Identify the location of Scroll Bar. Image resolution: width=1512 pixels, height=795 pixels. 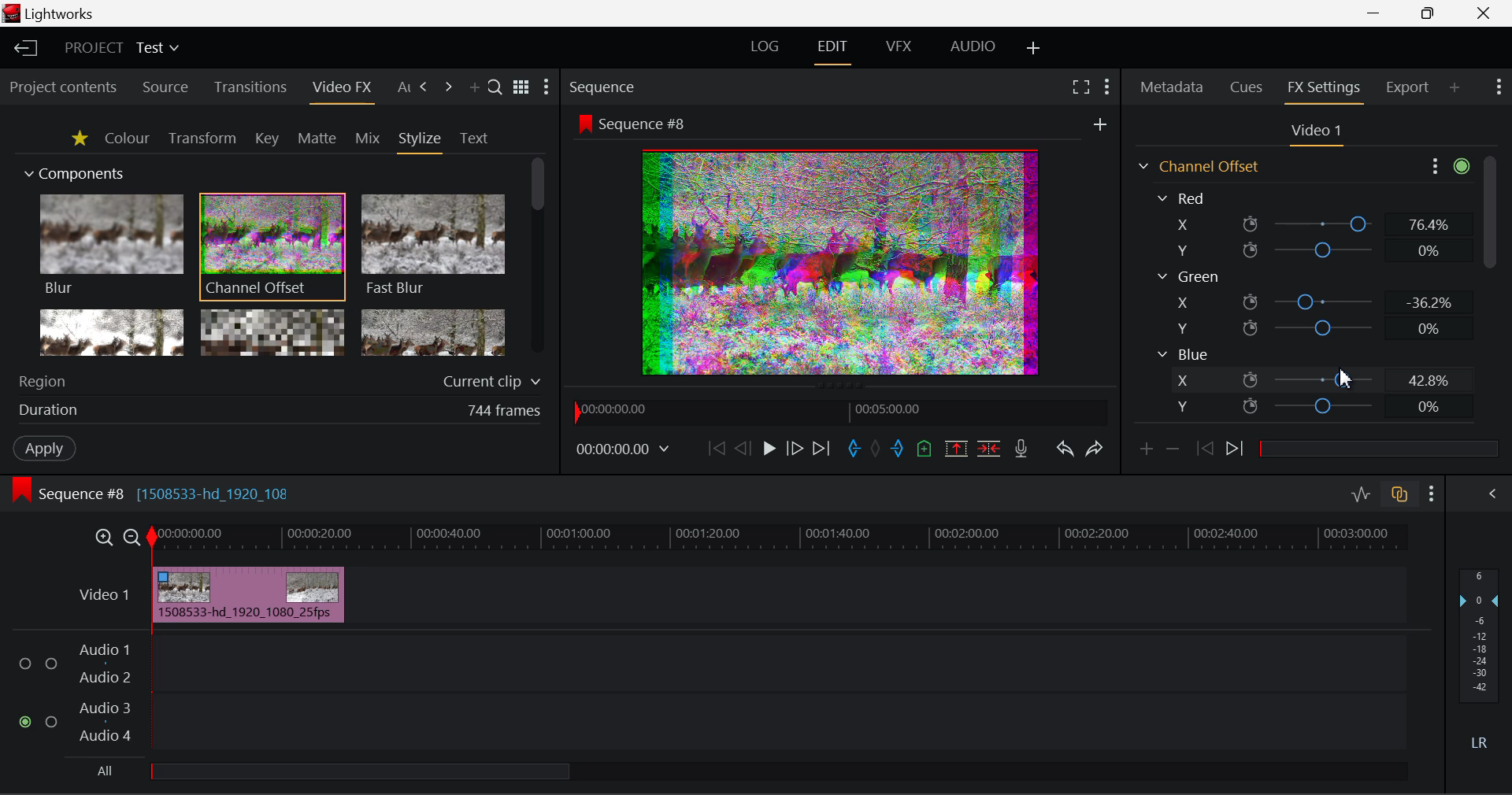
(535, 256).